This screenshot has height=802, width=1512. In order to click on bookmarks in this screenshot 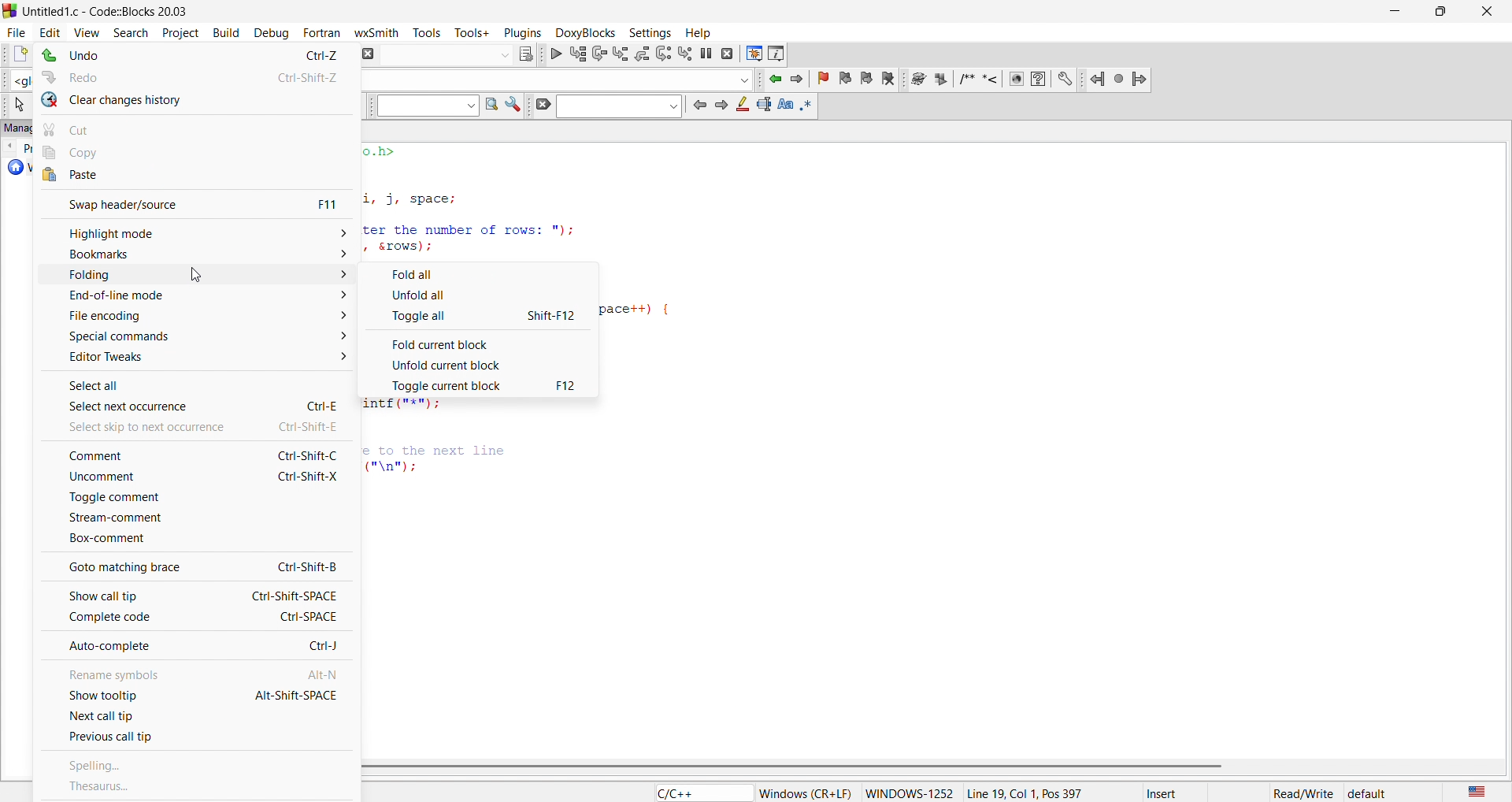, I will do `click(192, 253)`.